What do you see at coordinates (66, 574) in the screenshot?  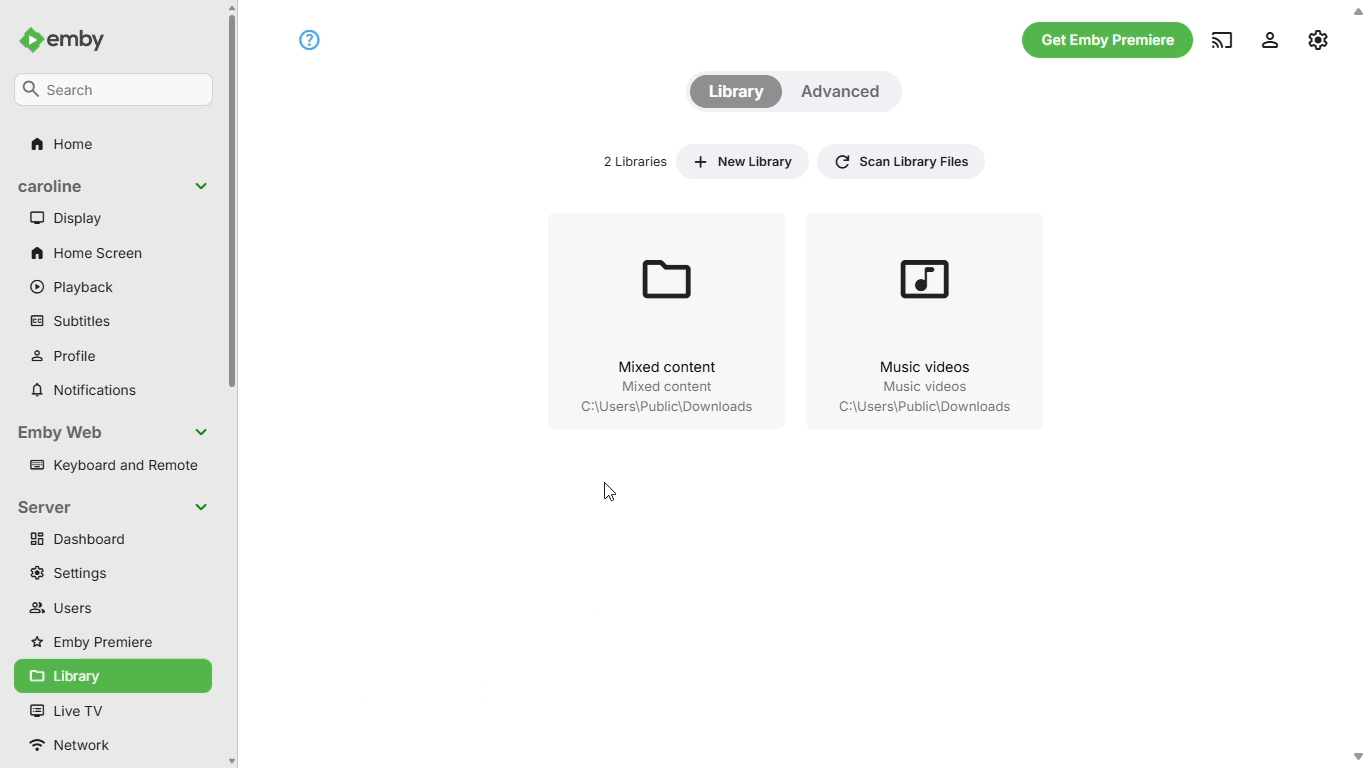 I see `settings` at bounding box center [66, 574].